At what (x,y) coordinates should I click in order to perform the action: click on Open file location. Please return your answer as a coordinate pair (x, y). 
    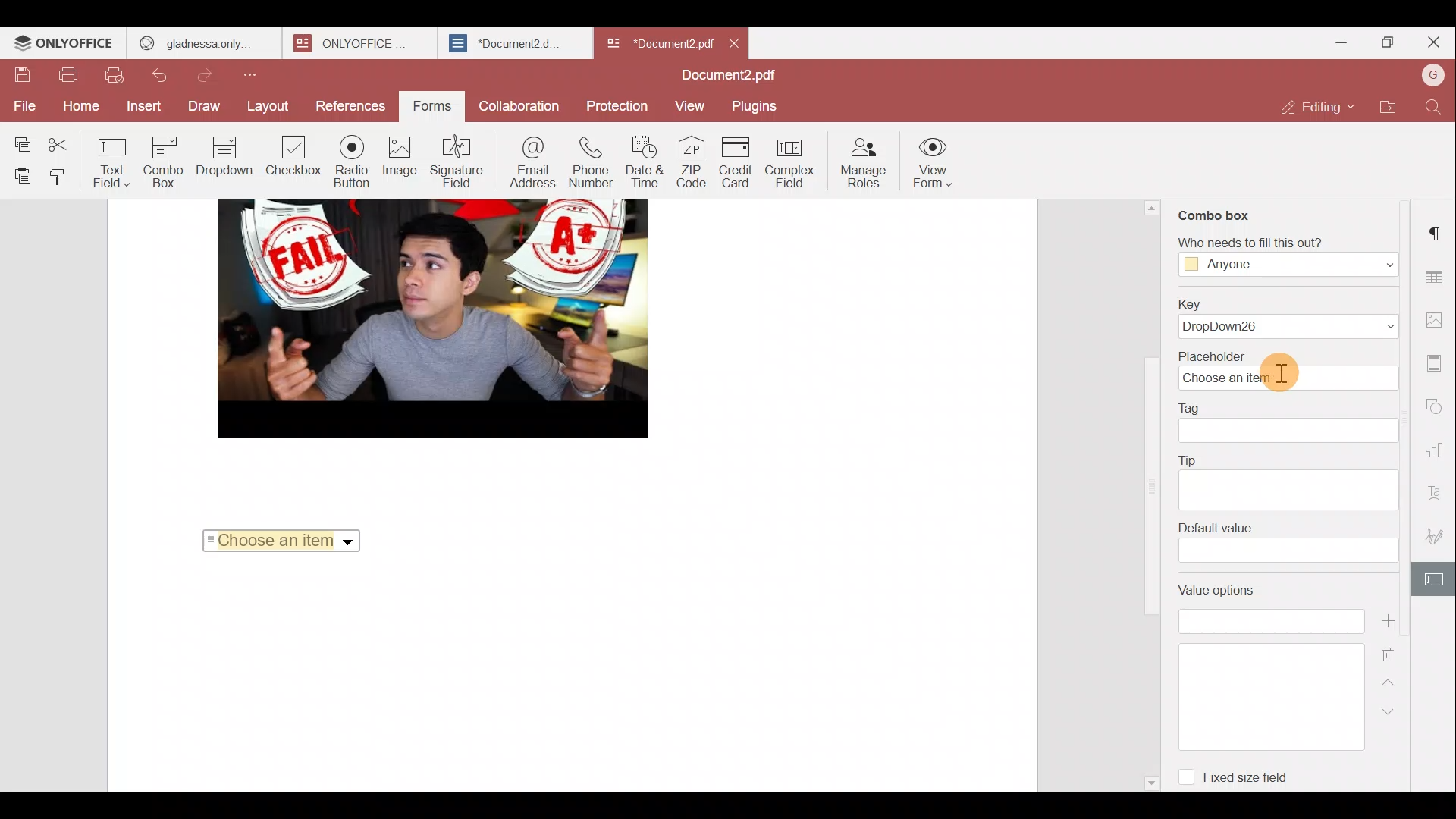
    Looking at the image, I should click on (1385, 110).